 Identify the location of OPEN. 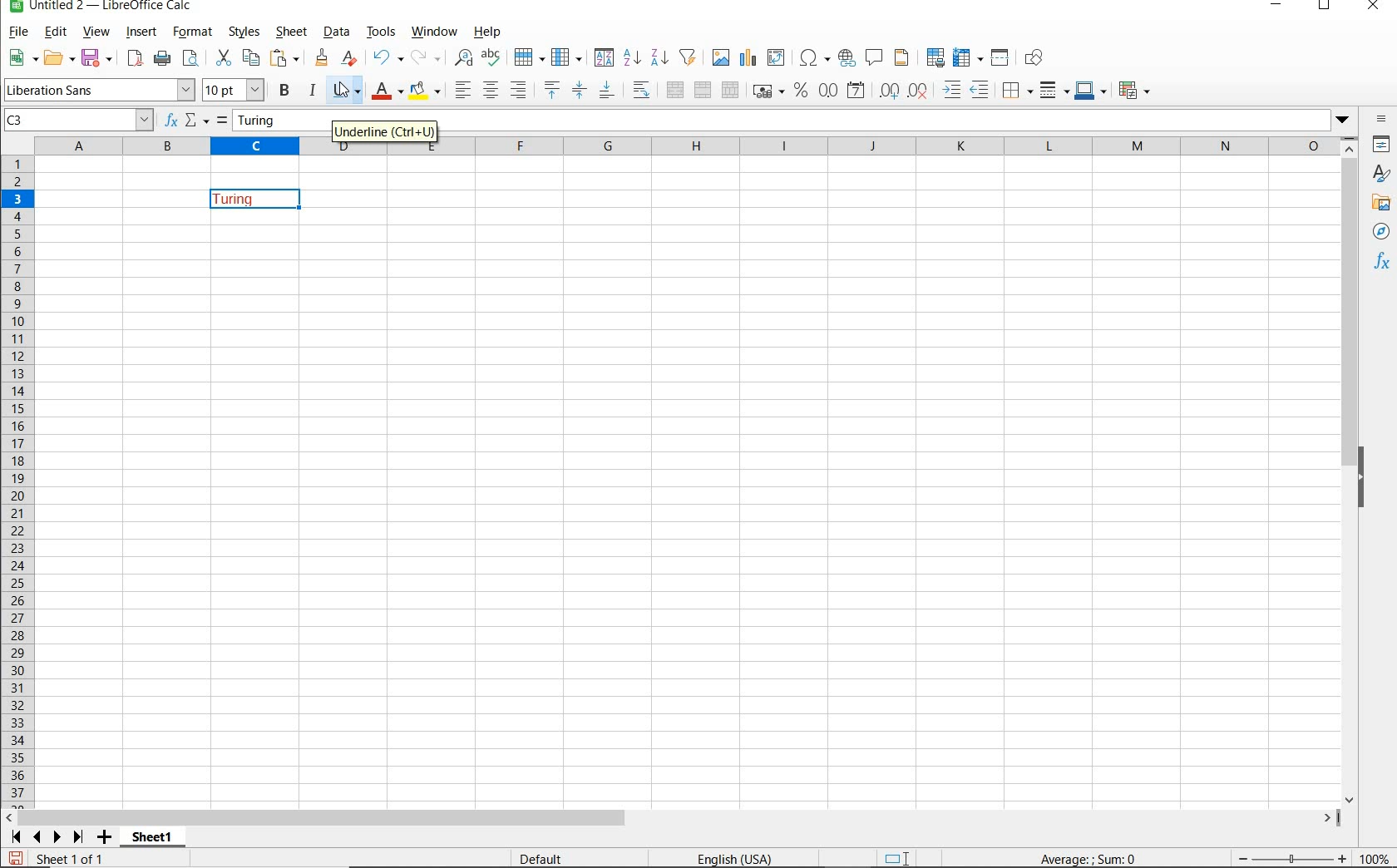
(57, 57).